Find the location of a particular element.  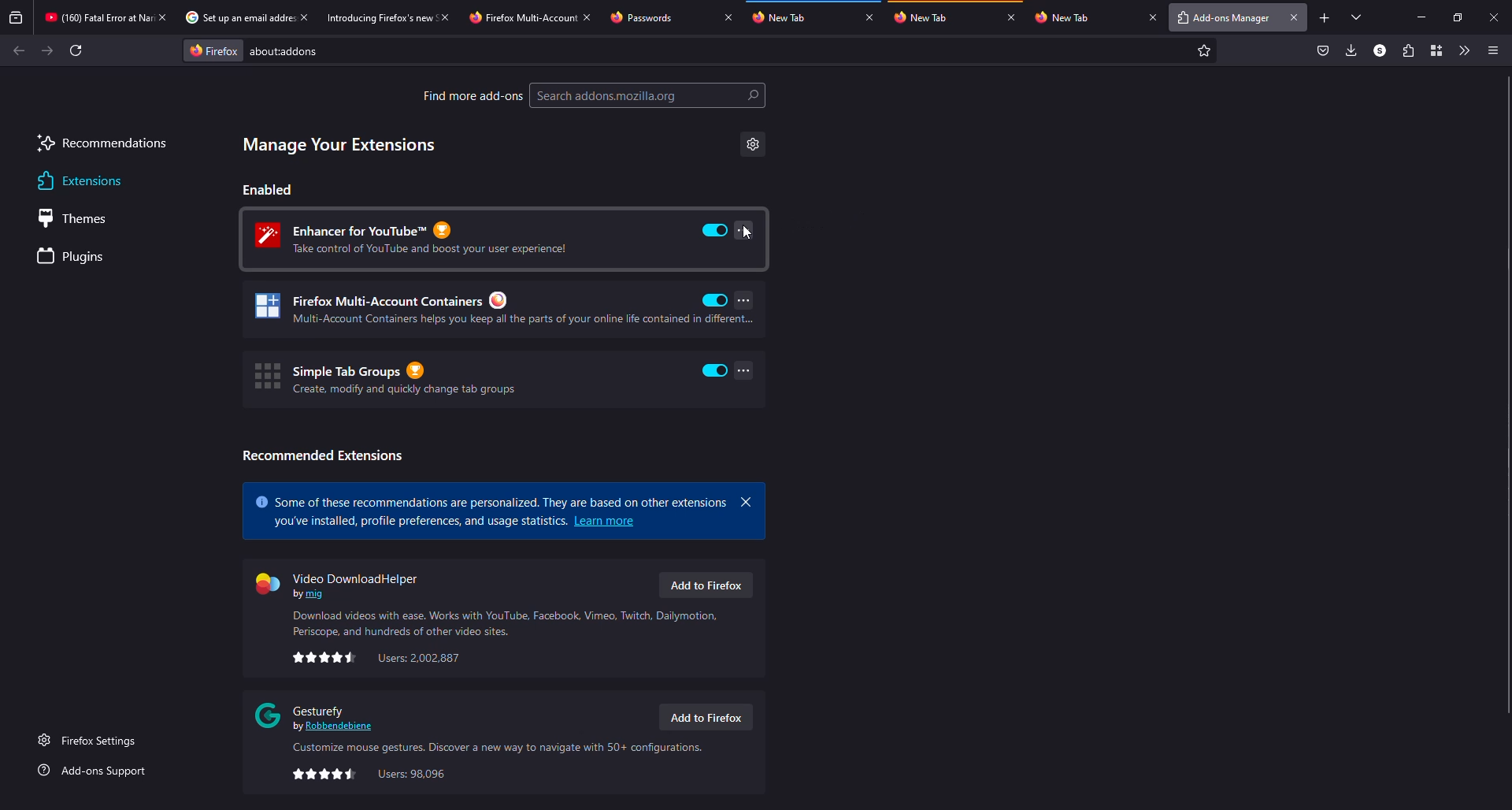

Cursor is located at coordinates (749, 232).